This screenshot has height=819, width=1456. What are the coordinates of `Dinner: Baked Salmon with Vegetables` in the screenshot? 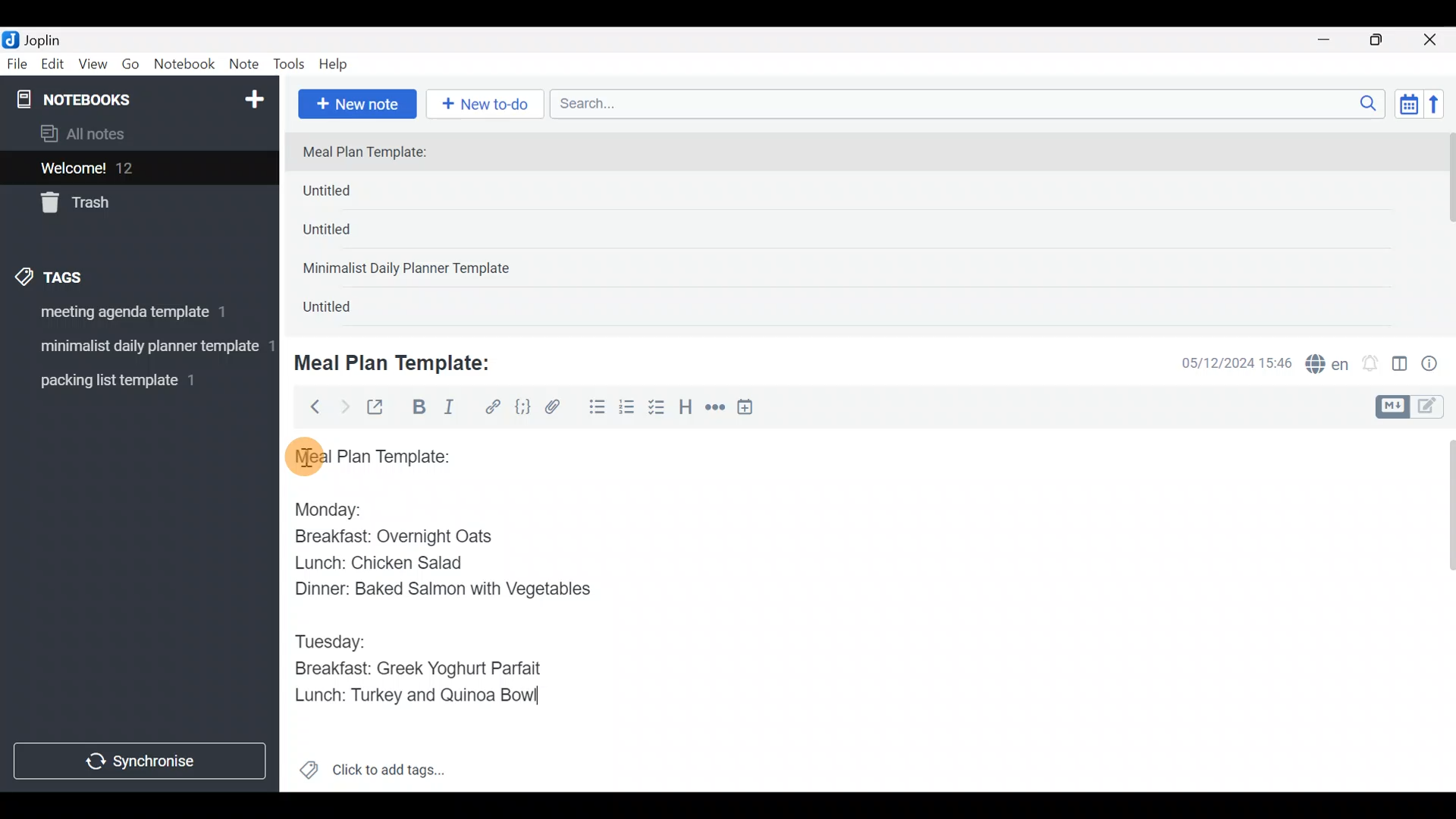 It's located at (439, 588).